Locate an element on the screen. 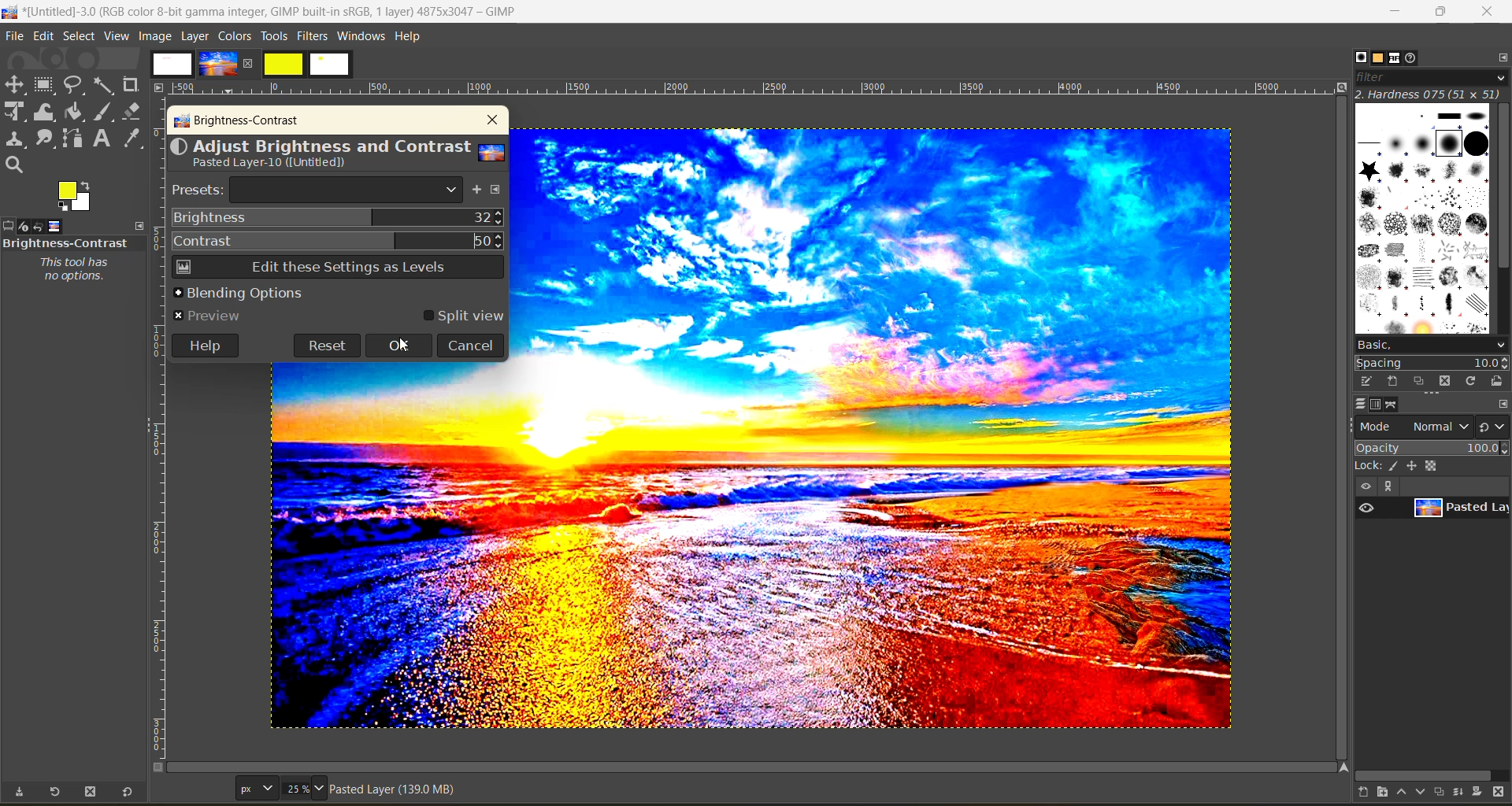 The height and width of the screenshot is (806, 1512). horizontal scroll bar is located at coordinates (1427, 775).